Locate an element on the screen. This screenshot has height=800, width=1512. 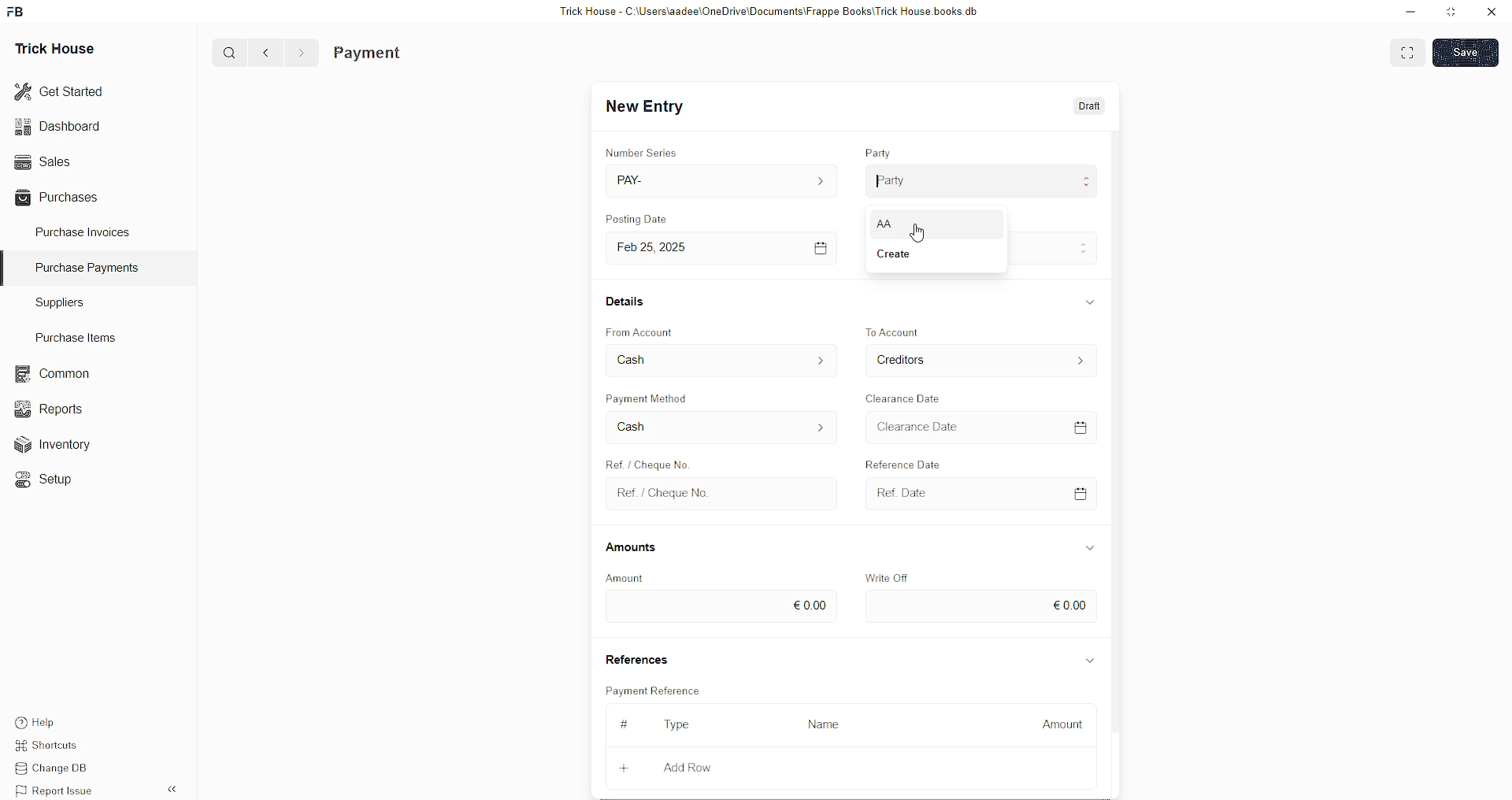
Ref. / Cheque No. is located at coordinates (663, 492).